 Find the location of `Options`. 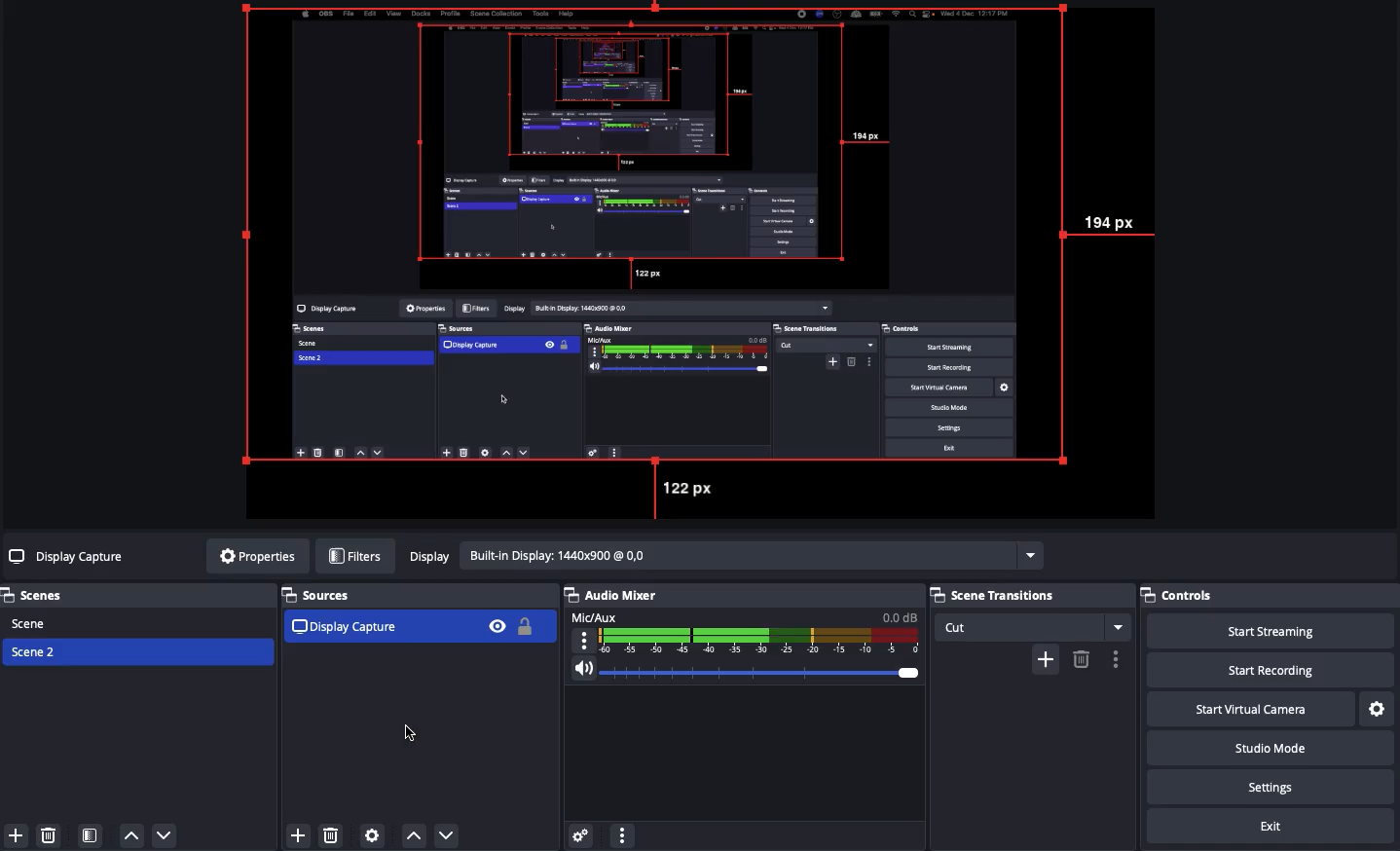

Options is located at coordinates (624, 834).